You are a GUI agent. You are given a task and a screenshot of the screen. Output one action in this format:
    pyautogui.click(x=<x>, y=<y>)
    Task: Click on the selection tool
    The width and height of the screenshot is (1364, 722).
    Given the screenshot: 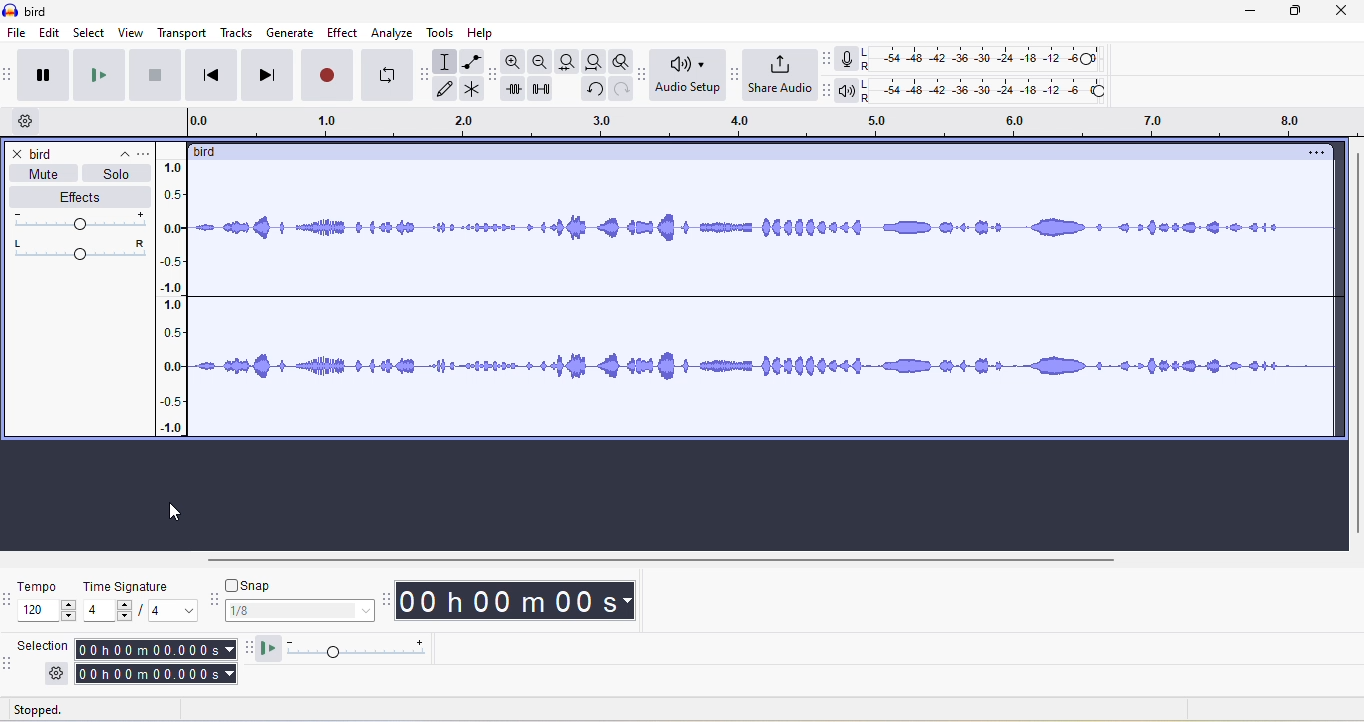 What is the action you would take?
    pyautogui.click(x=447, y=61)
    